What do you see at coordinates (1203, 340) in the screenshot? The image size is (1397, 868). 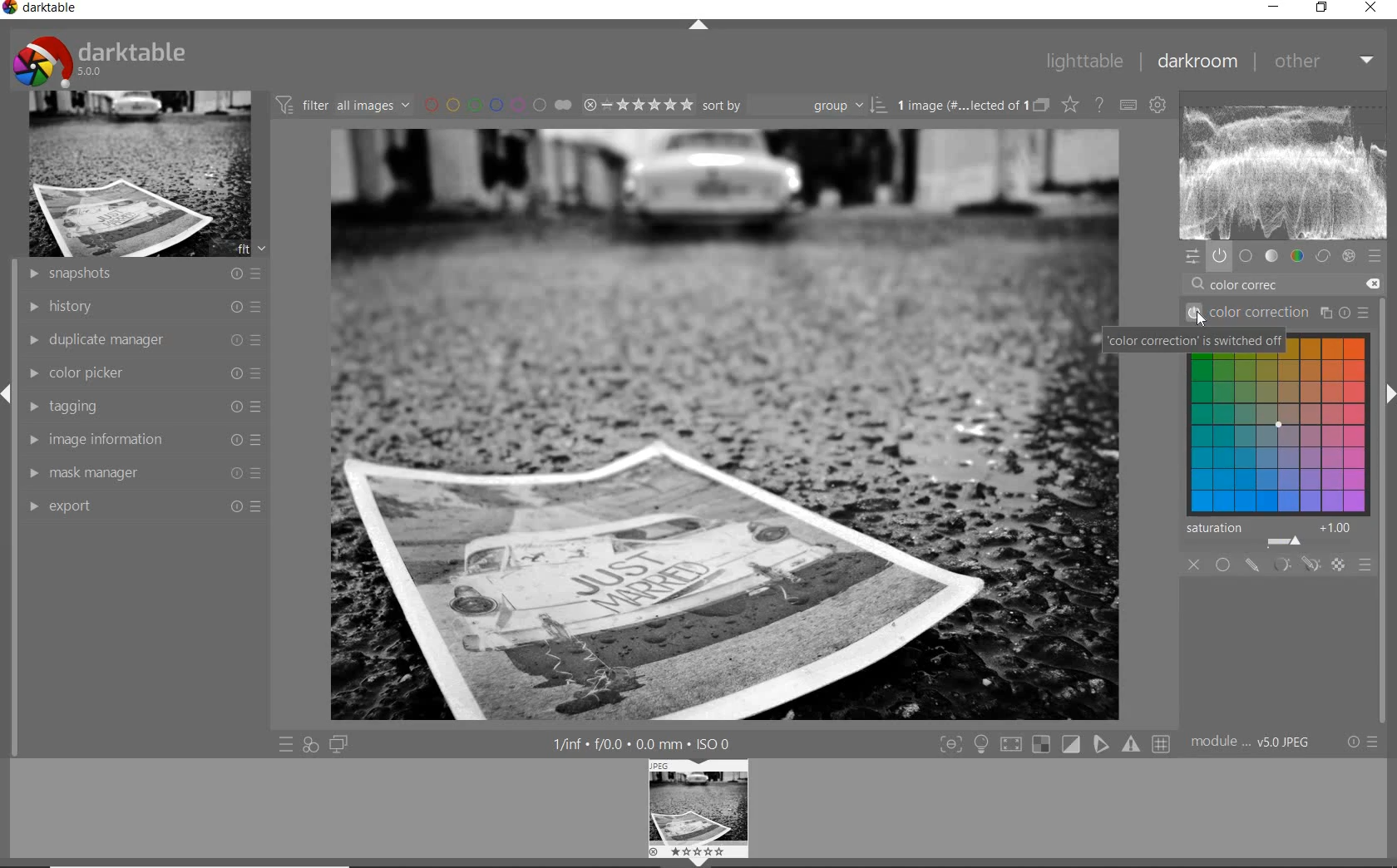 I see `color correction is switched off` at bounding box center [1203, 340].